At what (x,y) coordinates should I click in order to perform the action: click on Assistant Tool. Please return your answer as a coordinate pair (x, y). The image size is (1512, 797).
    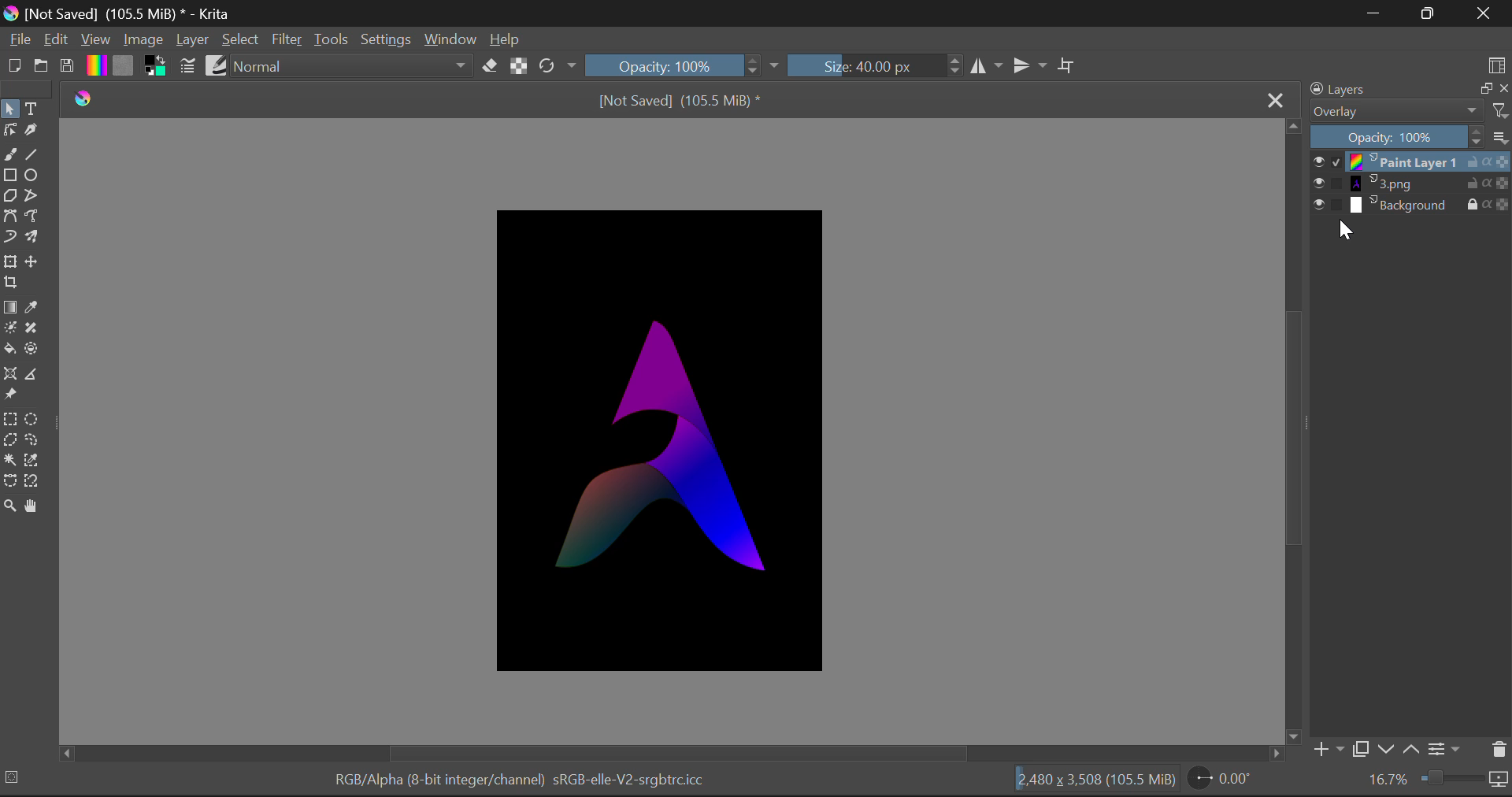
    Looking at the image, I should click on (13, 374).